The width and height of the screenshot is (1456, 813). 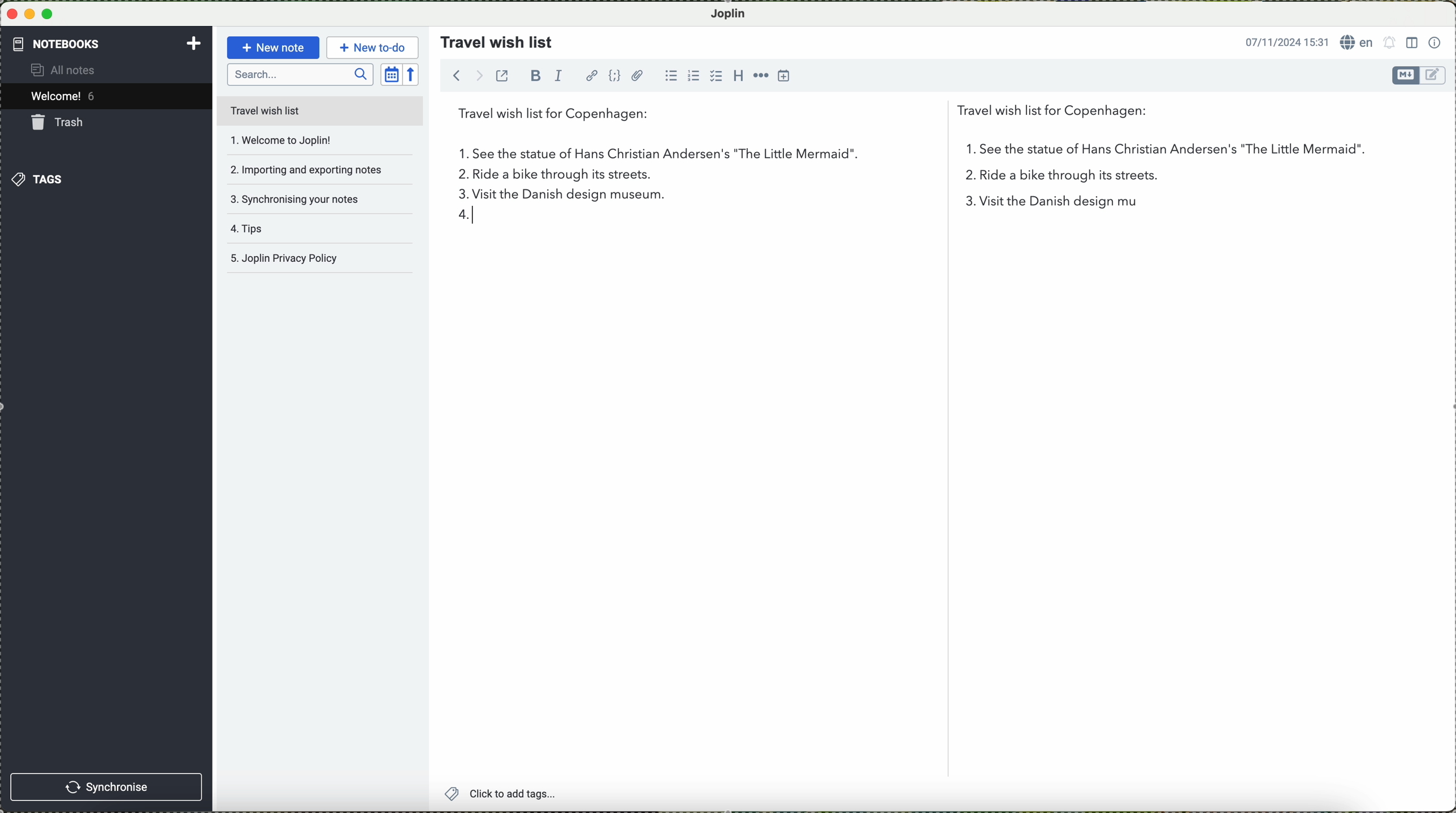 I want to click on checkbox, so click(x=714, y=76).